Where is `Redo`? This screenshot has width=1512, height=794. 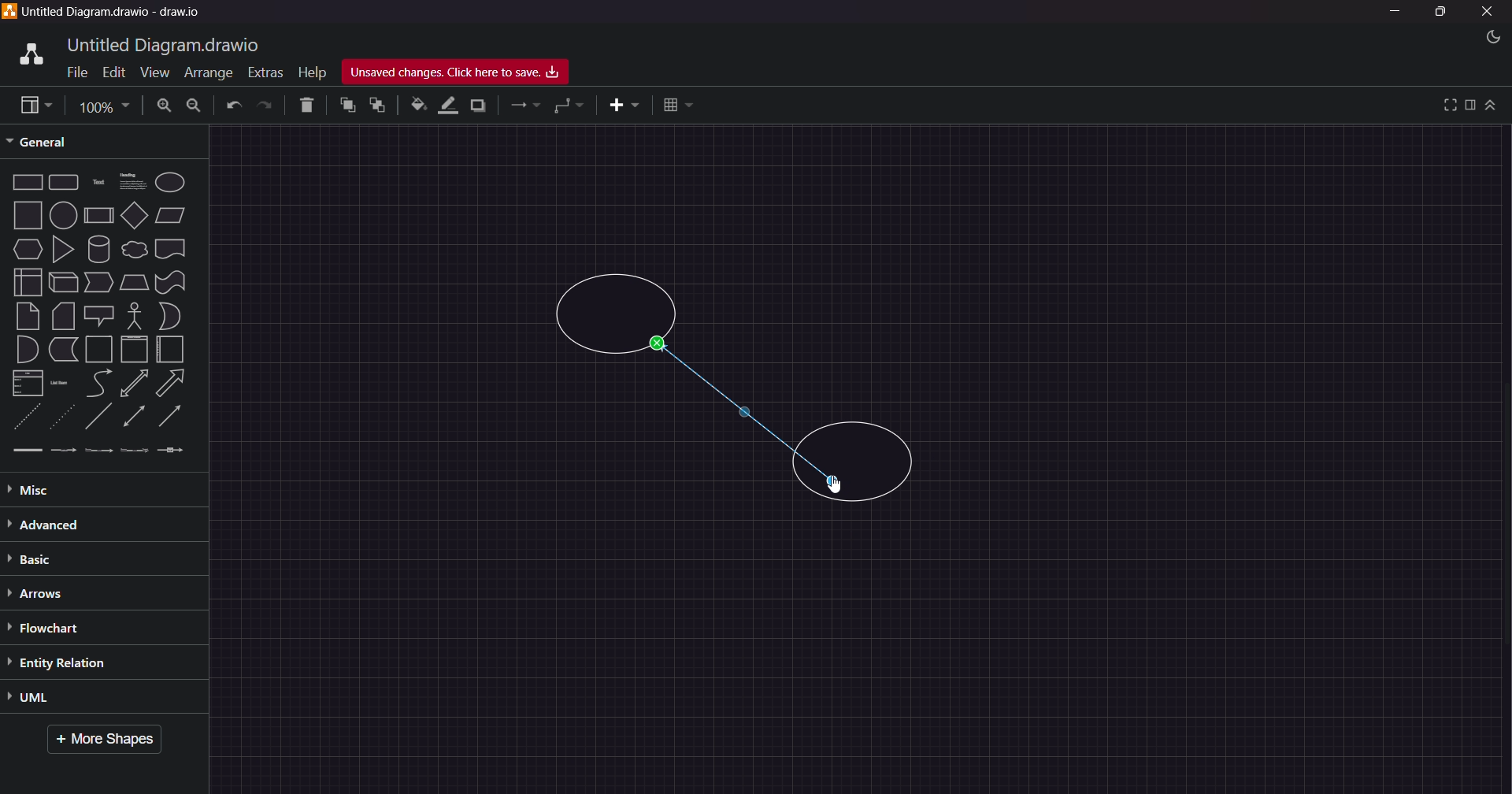
Redo is located at coordinates (267, 106).